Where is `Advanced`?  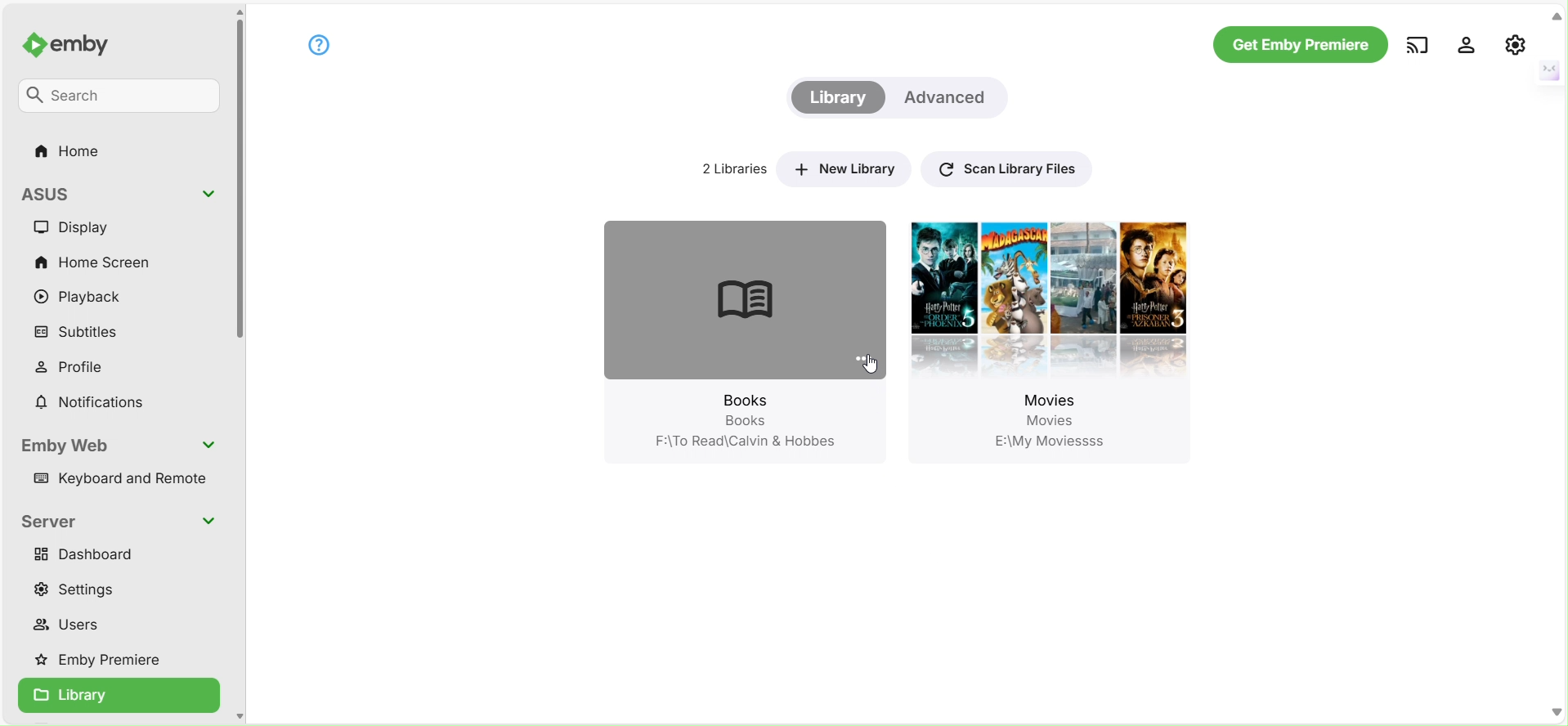 Advanced is located at coordinates (949, 97).